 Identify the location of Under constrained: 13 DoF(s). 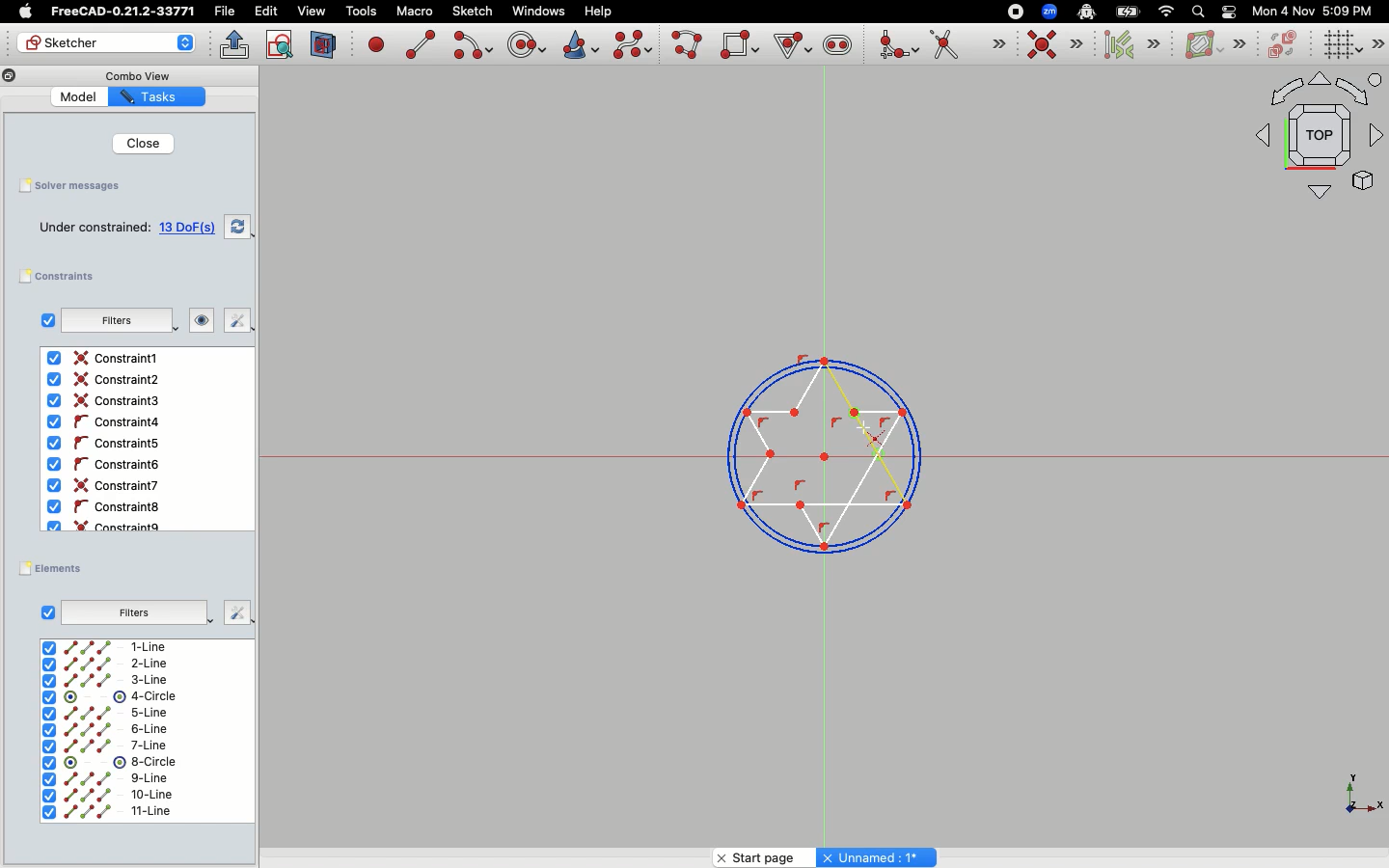
(129, 227).